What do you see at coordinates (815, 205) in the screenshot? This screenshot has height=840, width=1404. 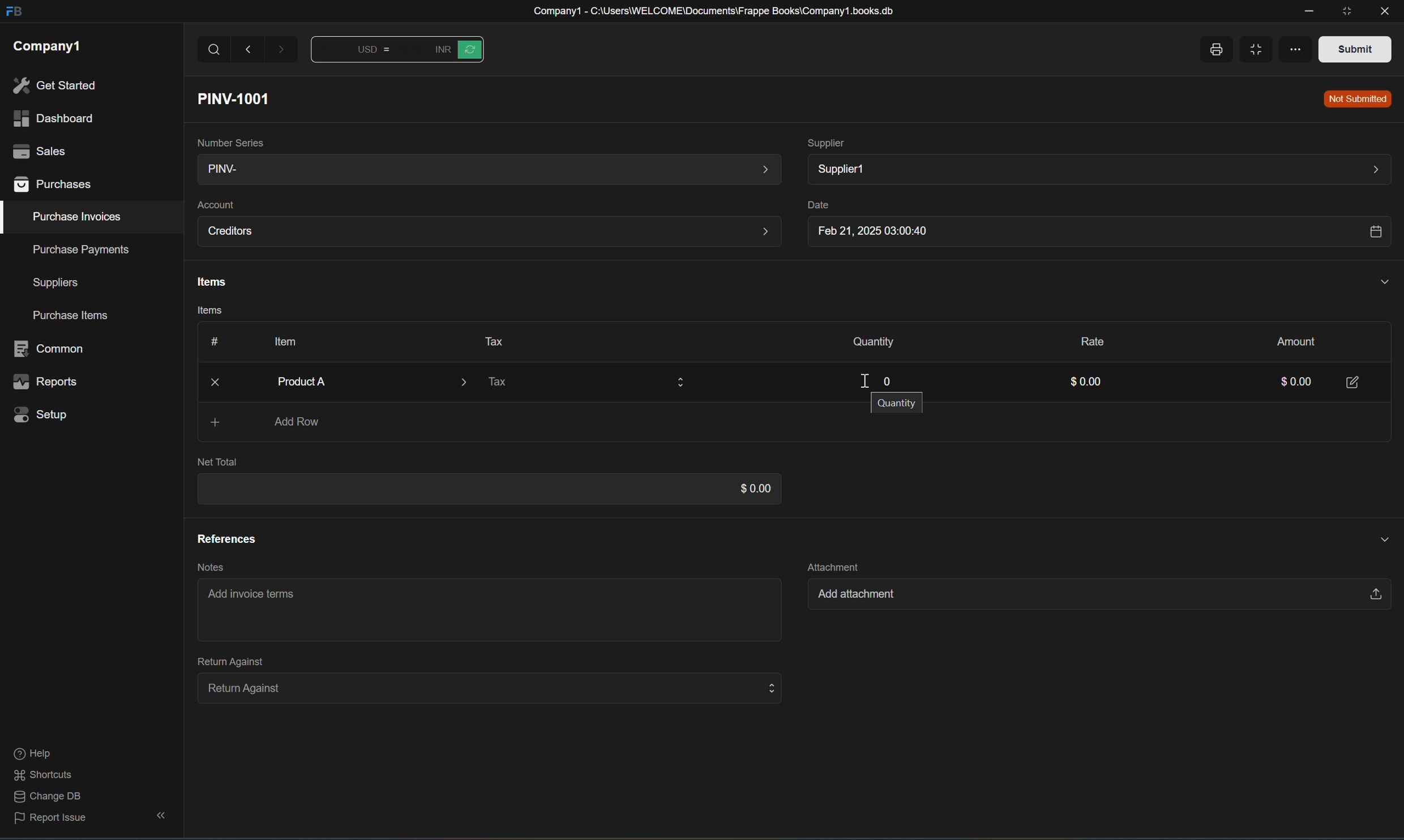 I see `Date` at bounding box center [815, 205].